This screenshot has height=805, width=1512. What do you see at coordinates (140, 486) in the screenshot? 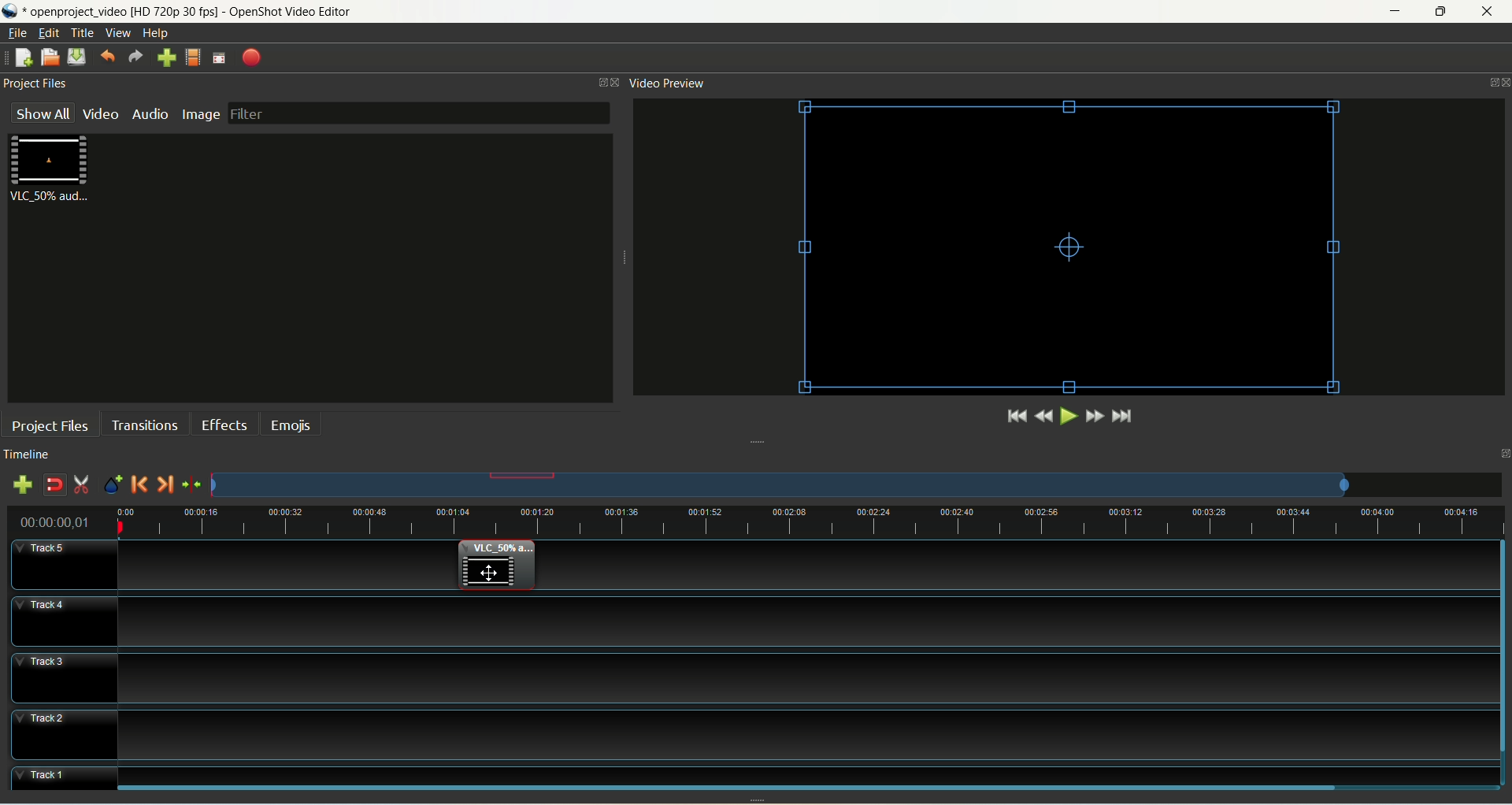
I see `previous marker` at bounding box center [140, 486].